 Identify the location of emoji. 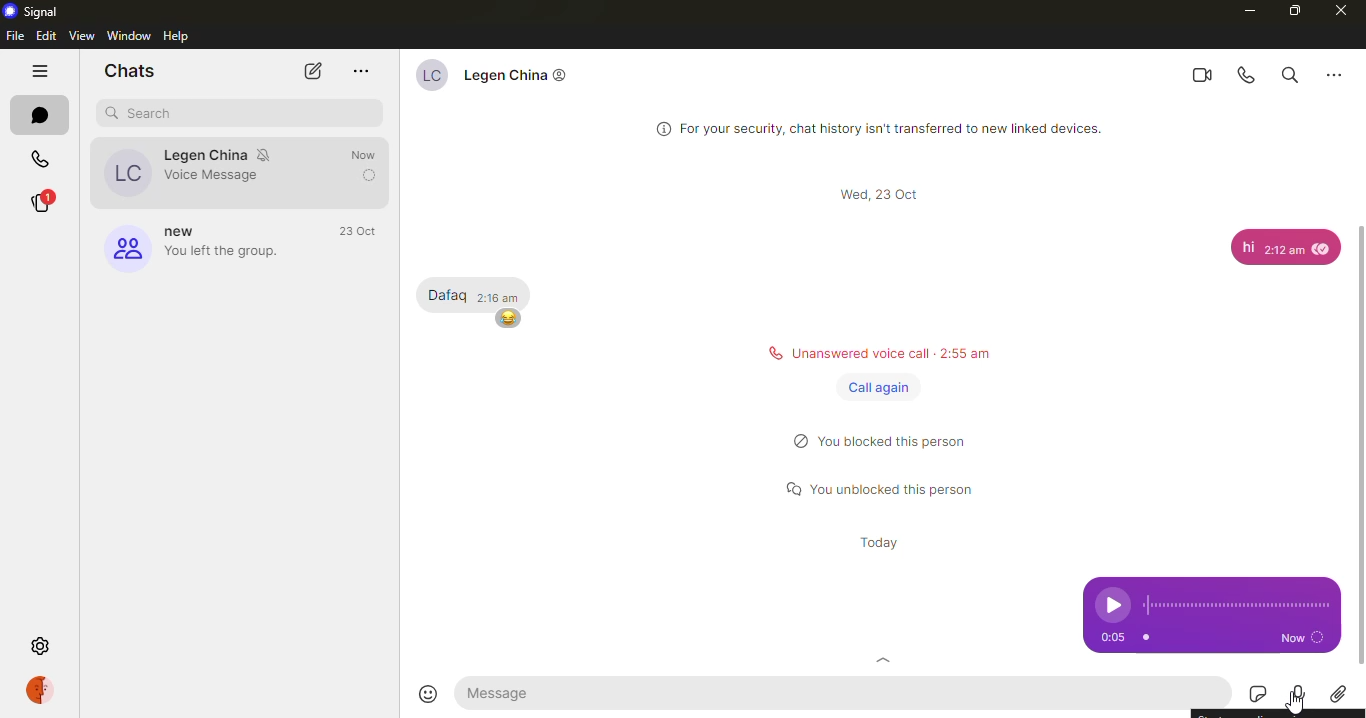
(432, 693).